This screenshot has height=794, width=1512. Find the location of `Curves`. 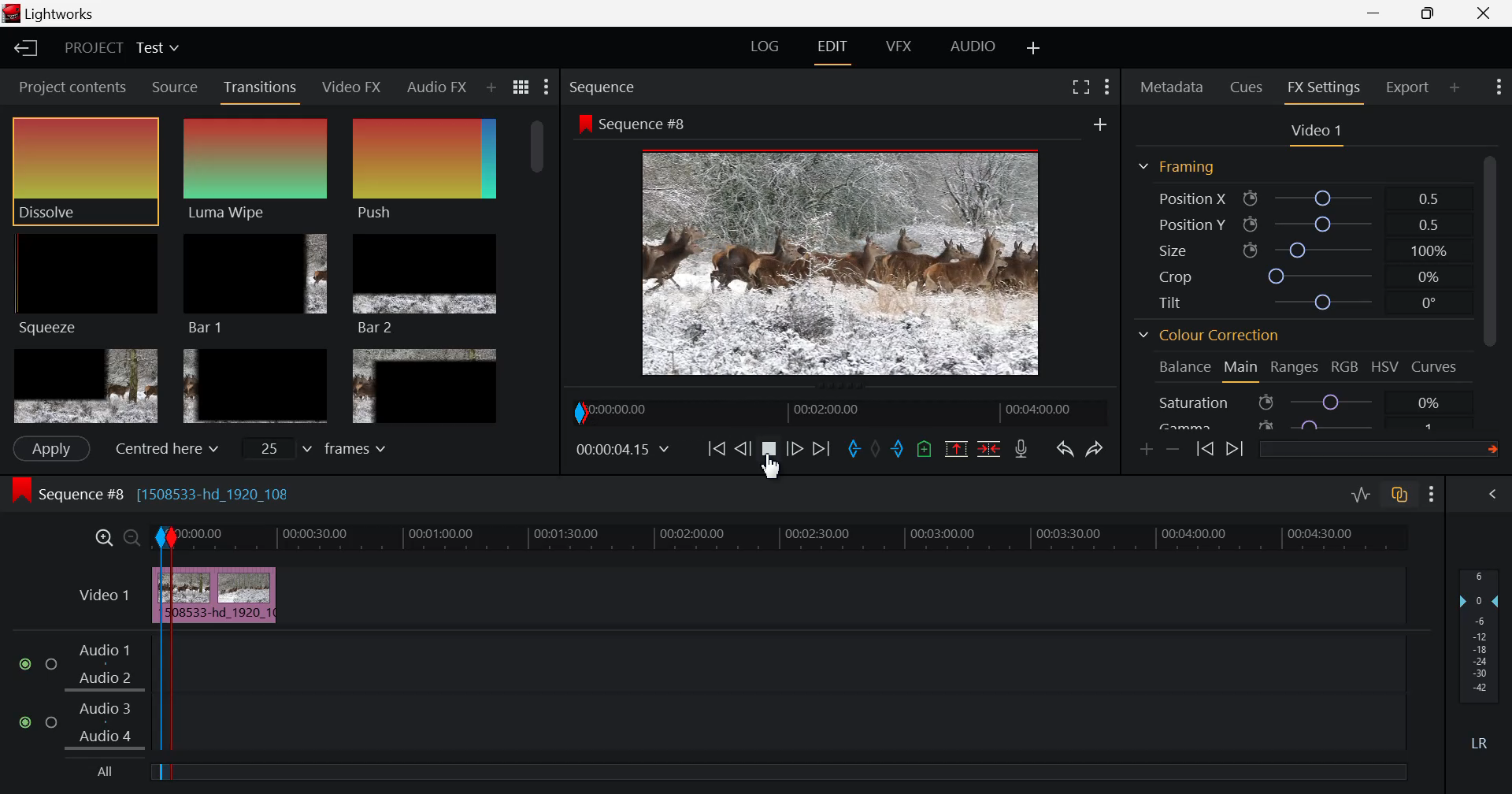

Curves is located at coordinates (1436, 367).